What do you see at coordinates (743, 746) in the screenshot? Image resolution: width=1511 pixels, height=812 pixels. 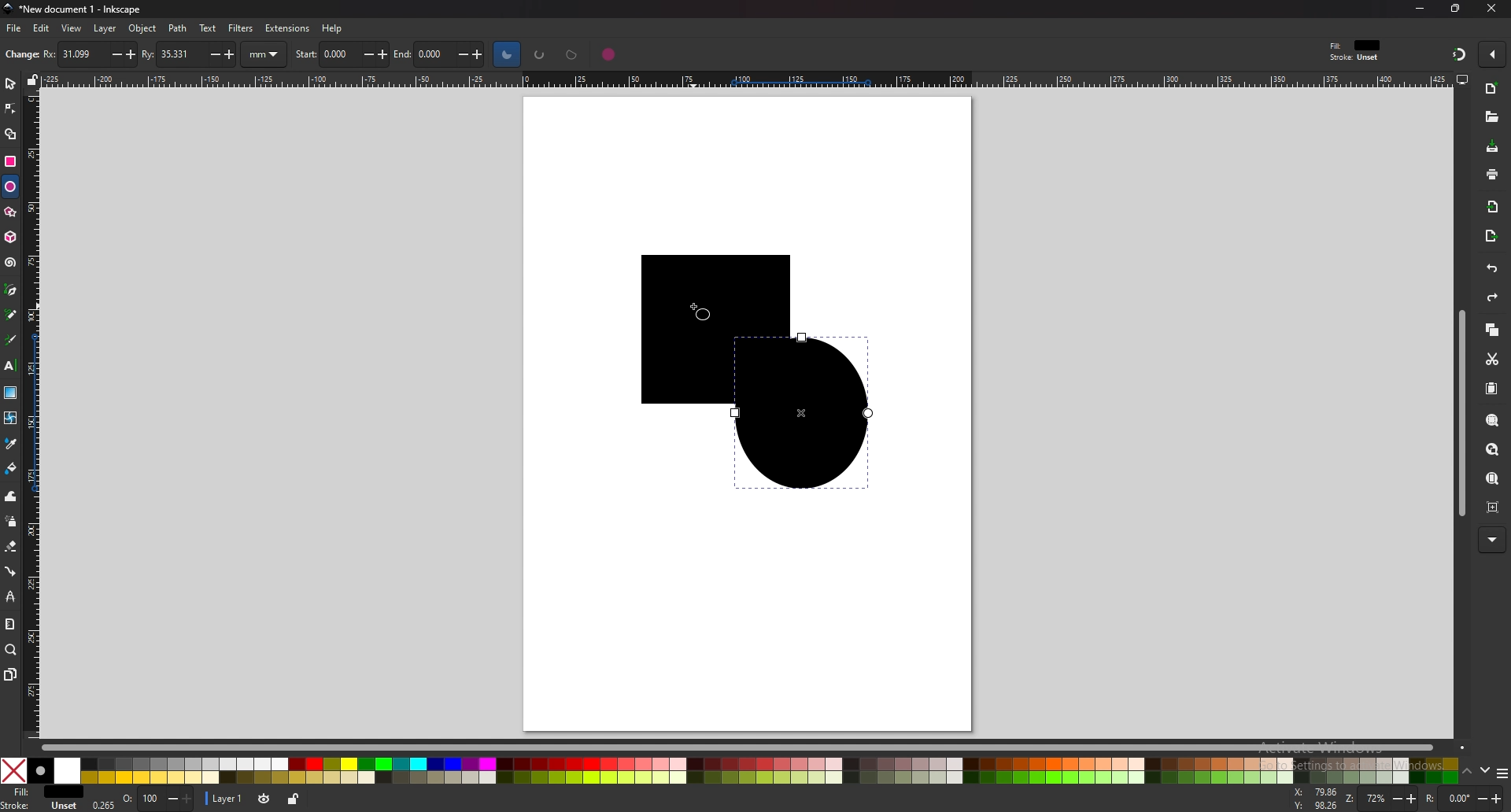 I see `scroll bar` at bounding box center [743, 746].